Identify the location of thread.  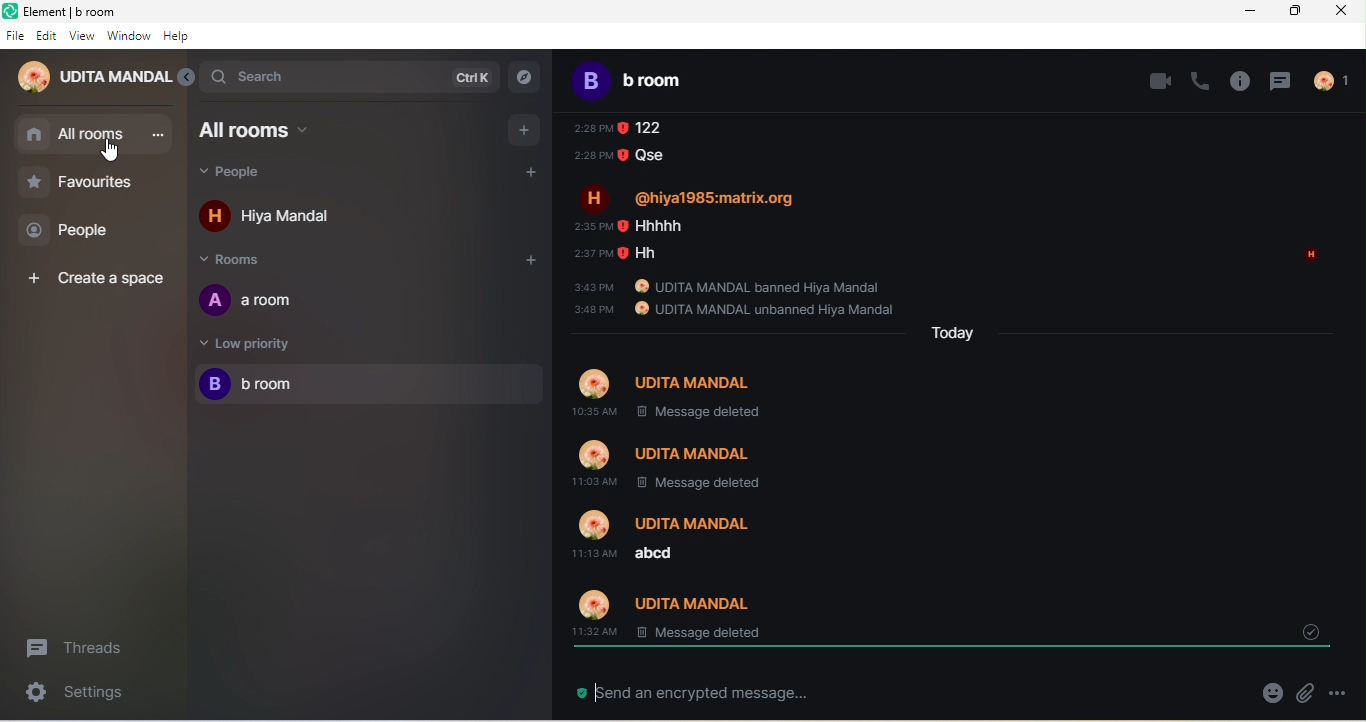
(1282, 81).